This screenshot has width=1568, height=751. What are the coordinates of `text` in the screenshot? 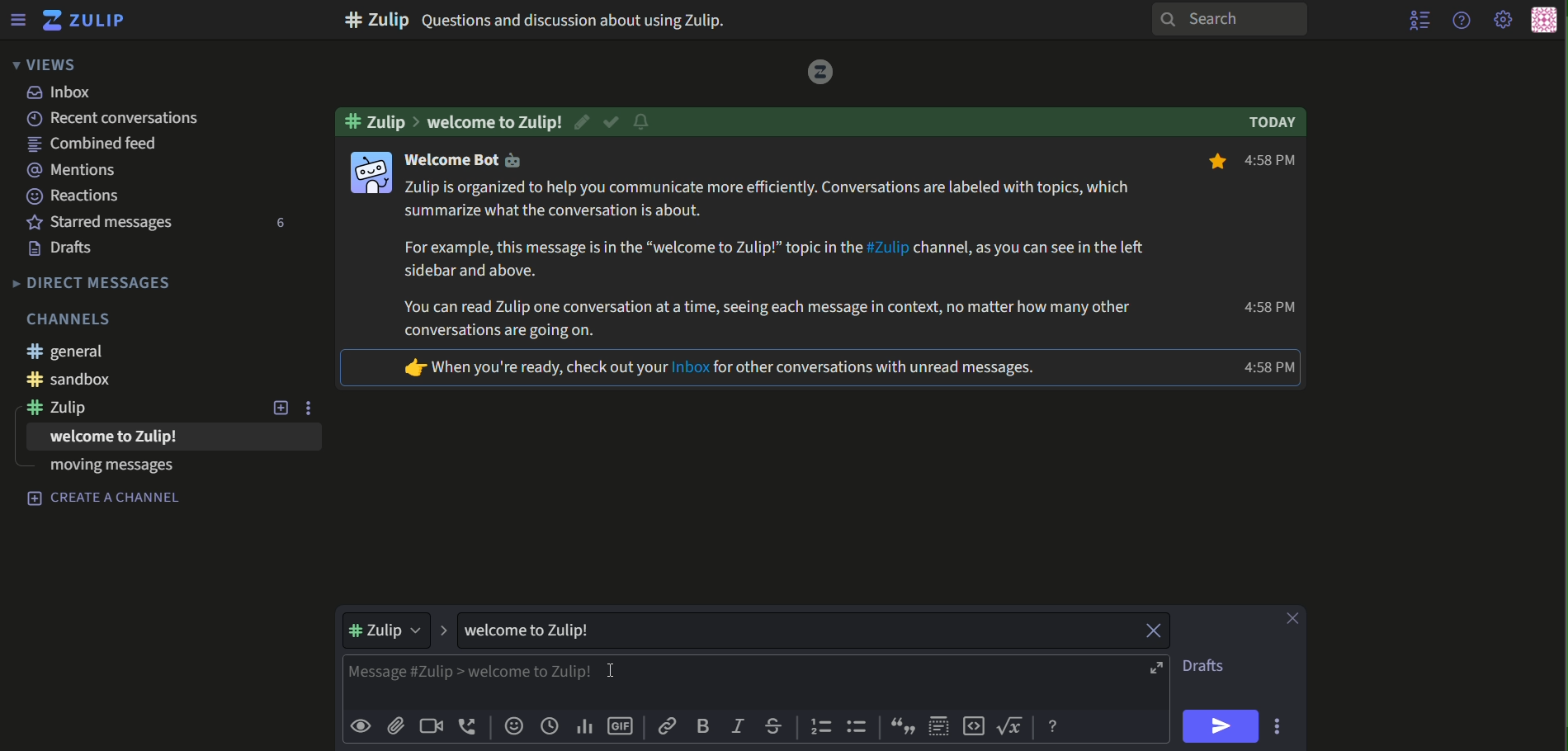 It's located at (378, 120).